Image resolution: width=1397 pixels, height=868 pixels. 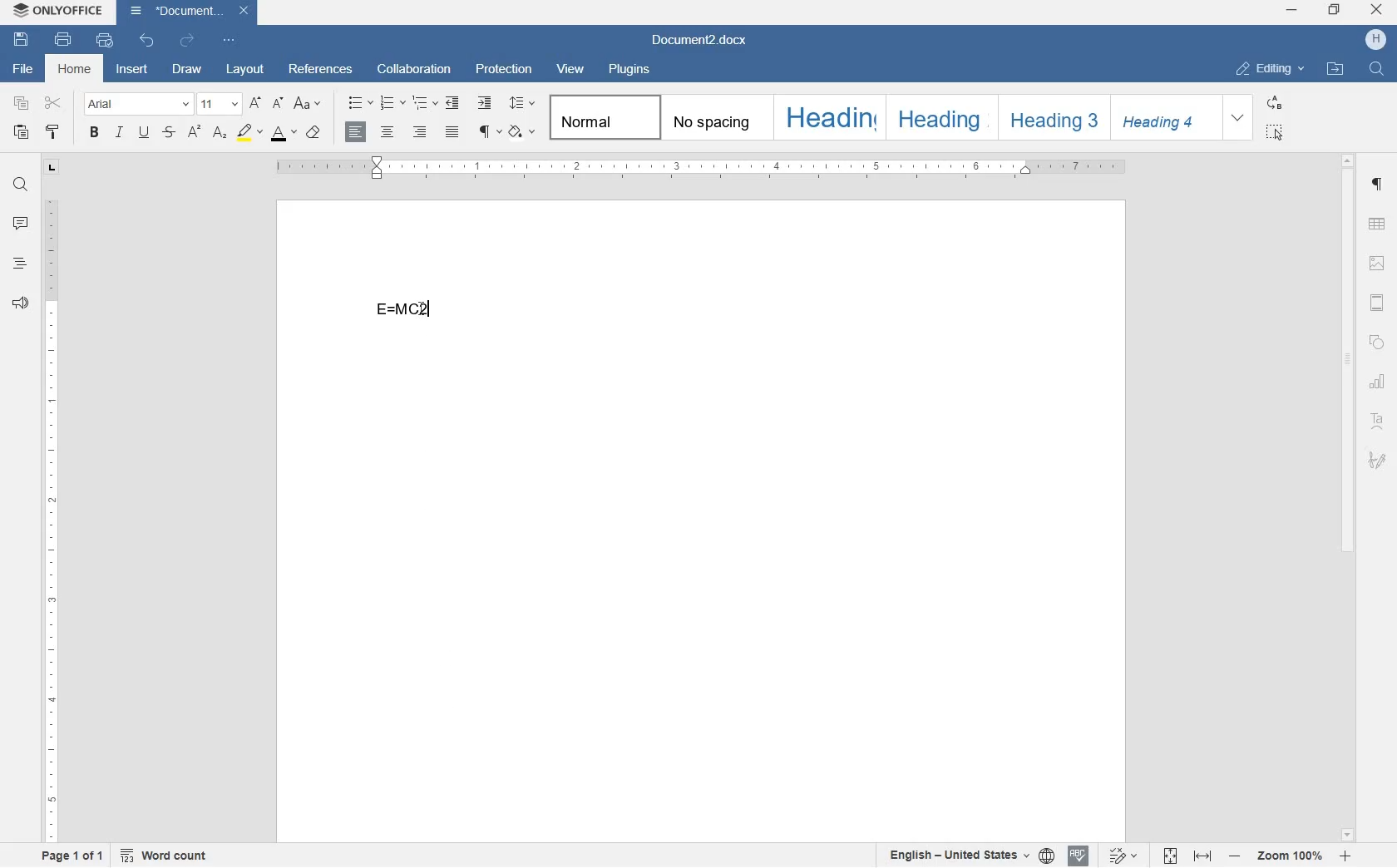 I want to click on Heading 1, so click(x=827, y=116).